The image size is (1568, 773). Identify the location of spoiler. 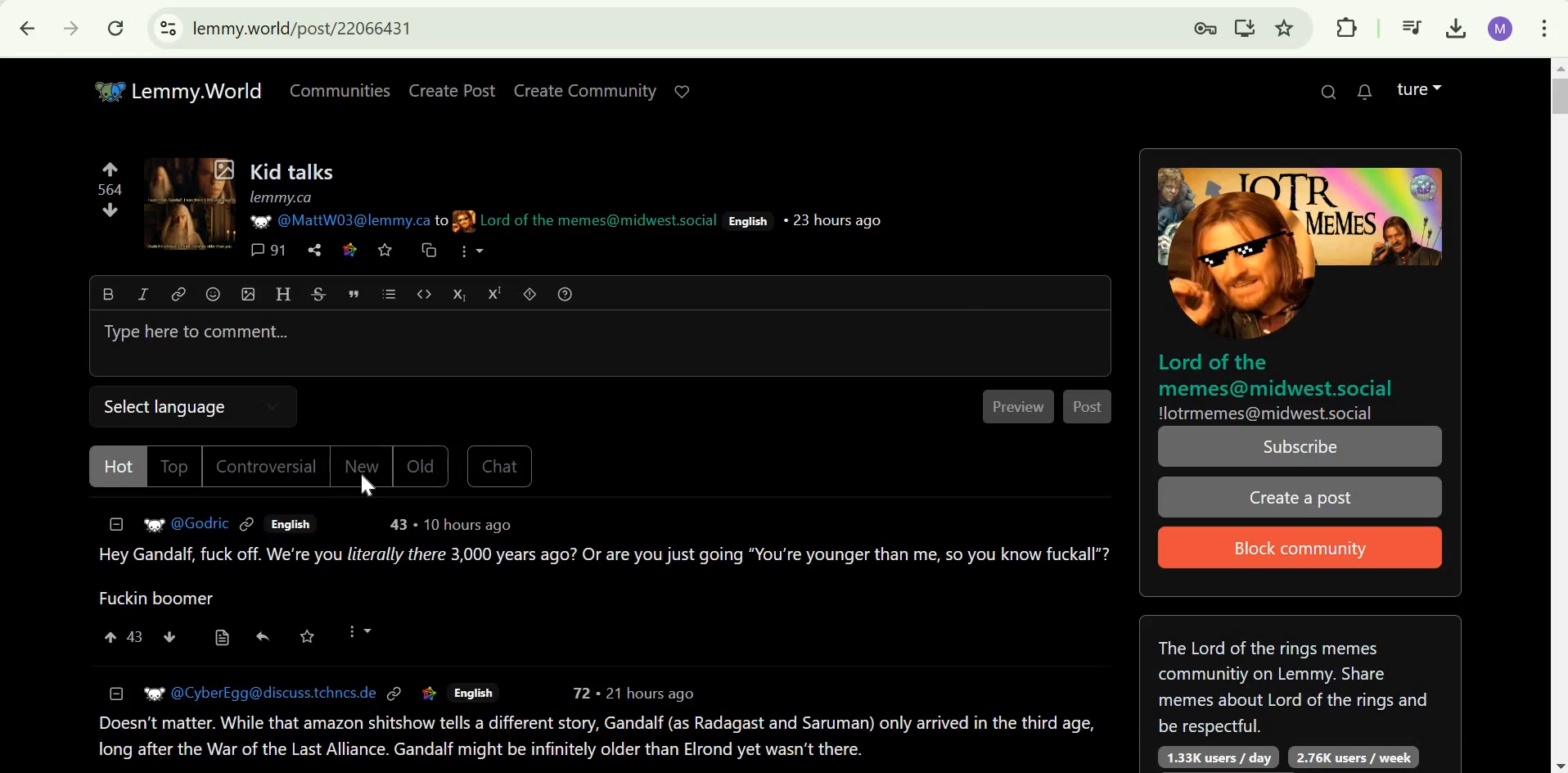
(529, 293).